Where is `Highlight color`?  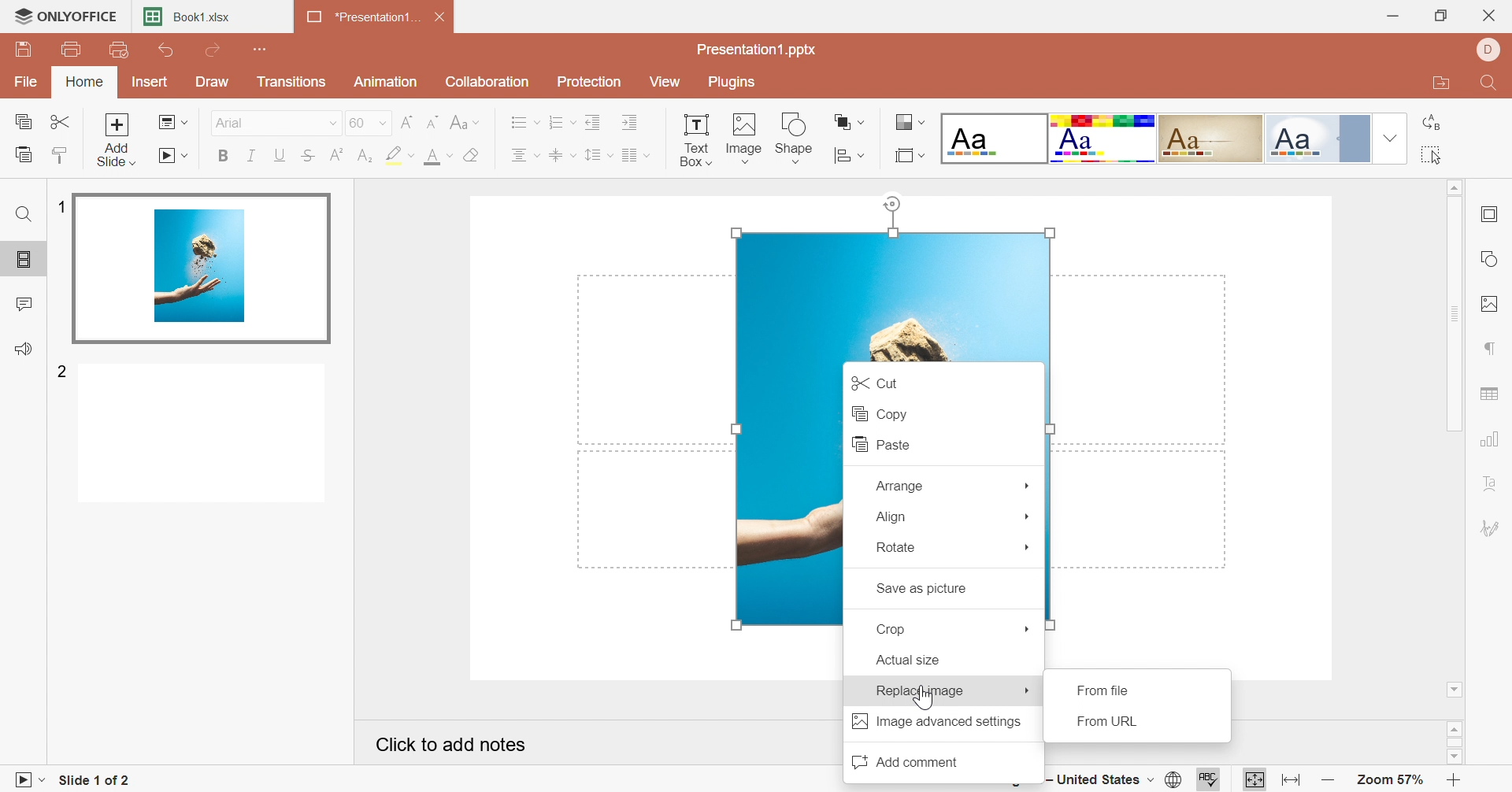
Highlight color is located at coordinates (400, 156).